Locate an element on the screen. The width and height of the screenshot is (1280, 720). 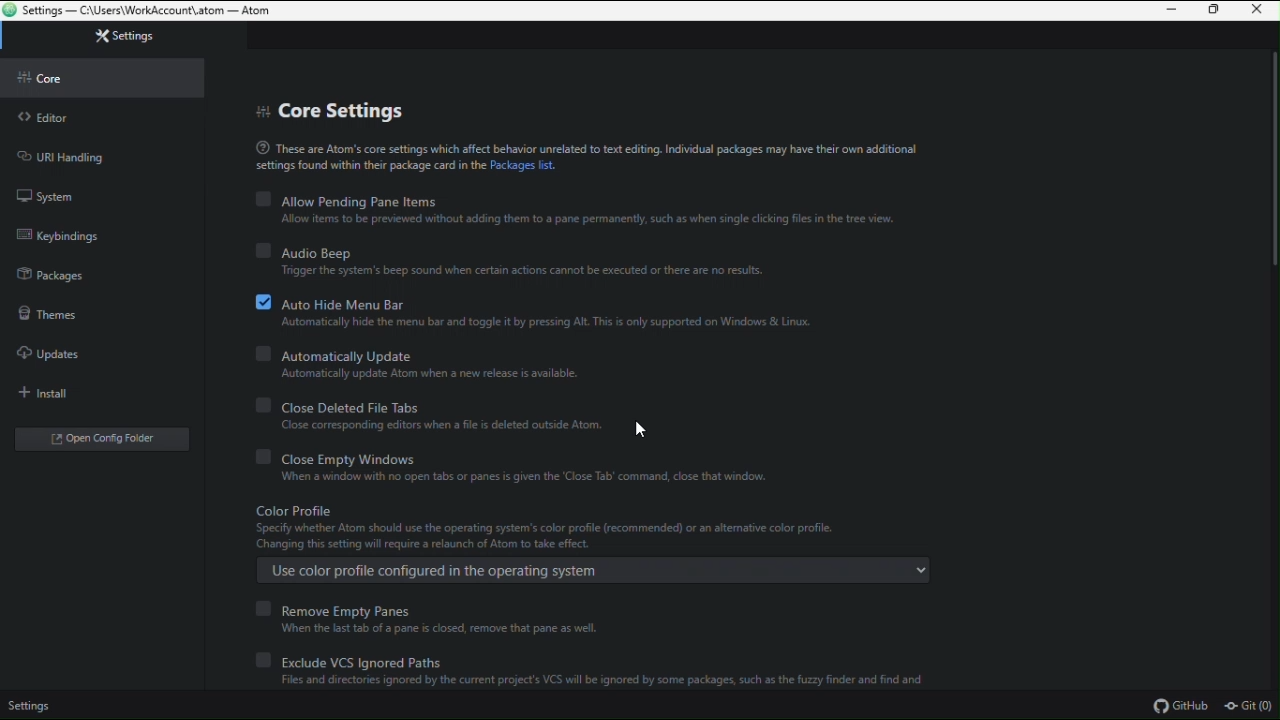
When a window with no open tabs or panes is given the ‘Close Tab’ command, close that window. is located at coordinates (520, 477).